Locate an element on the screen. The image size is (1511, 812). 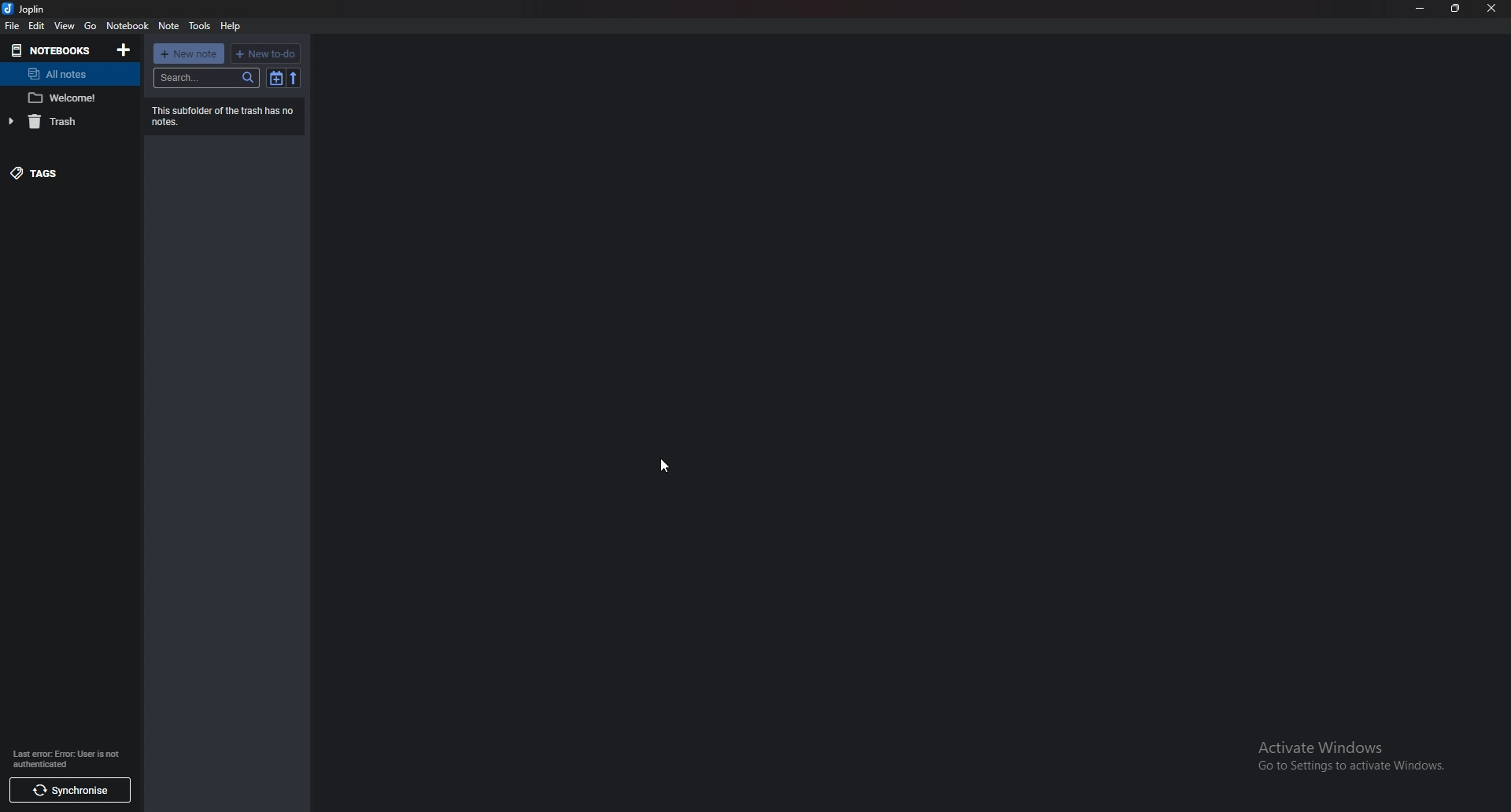
notebooks is located at coordinates (50, 49).